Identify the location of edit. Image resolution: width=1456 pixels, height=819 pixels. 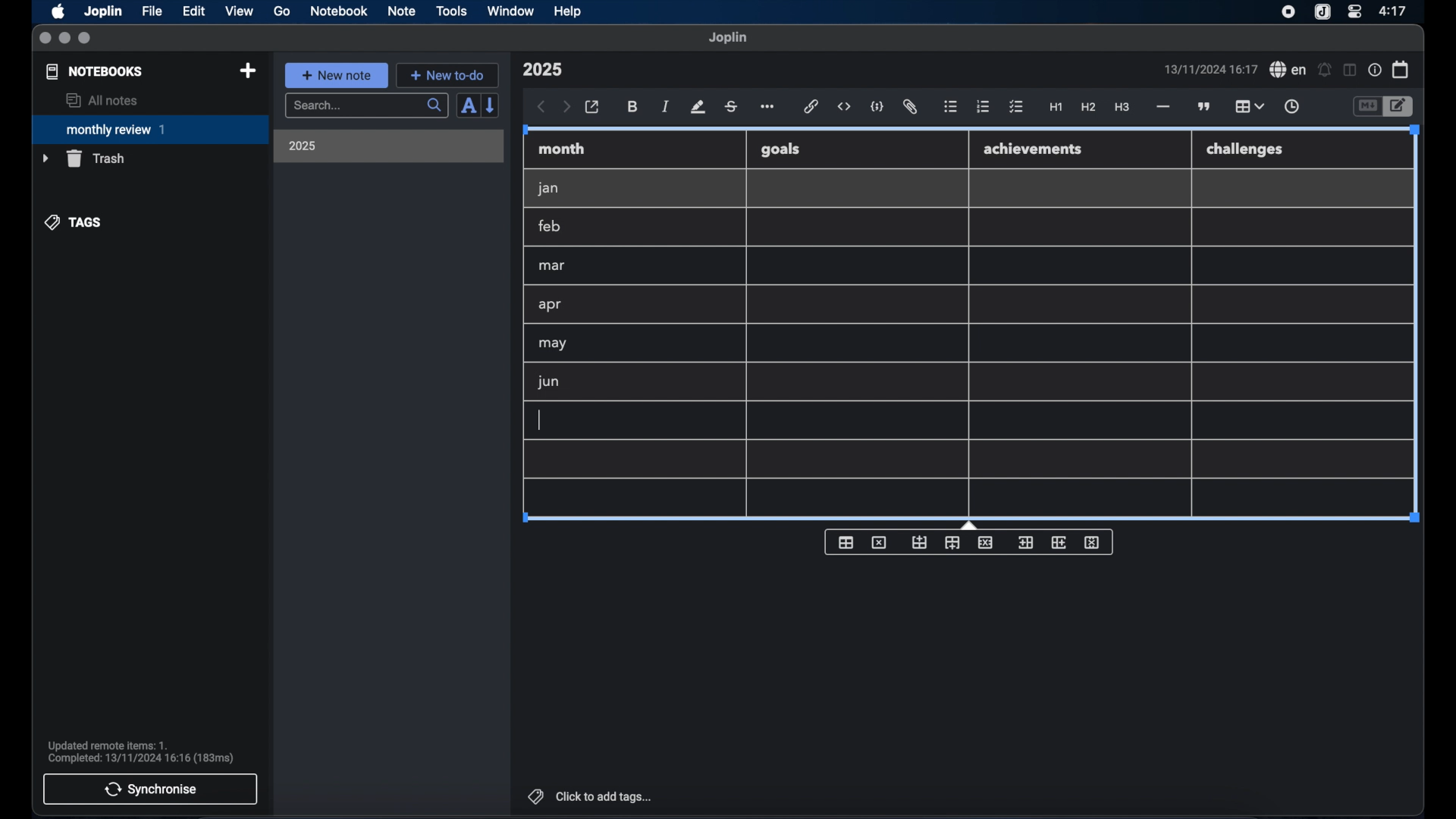
(195, 11).